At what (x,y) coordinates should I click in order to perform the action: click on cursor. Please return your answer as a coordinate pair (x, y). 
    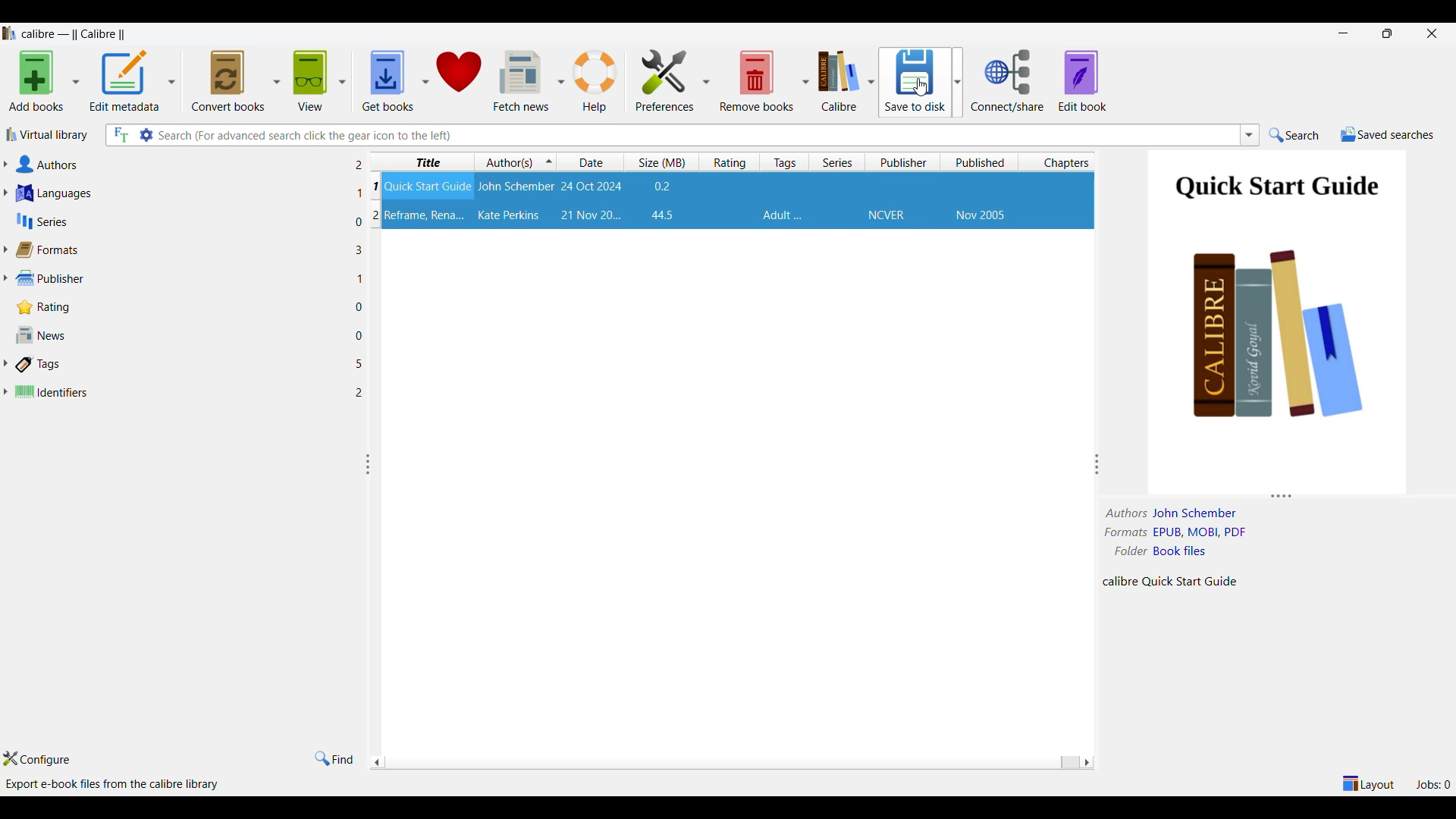
    Looking at the image, I should click on (923, 84).